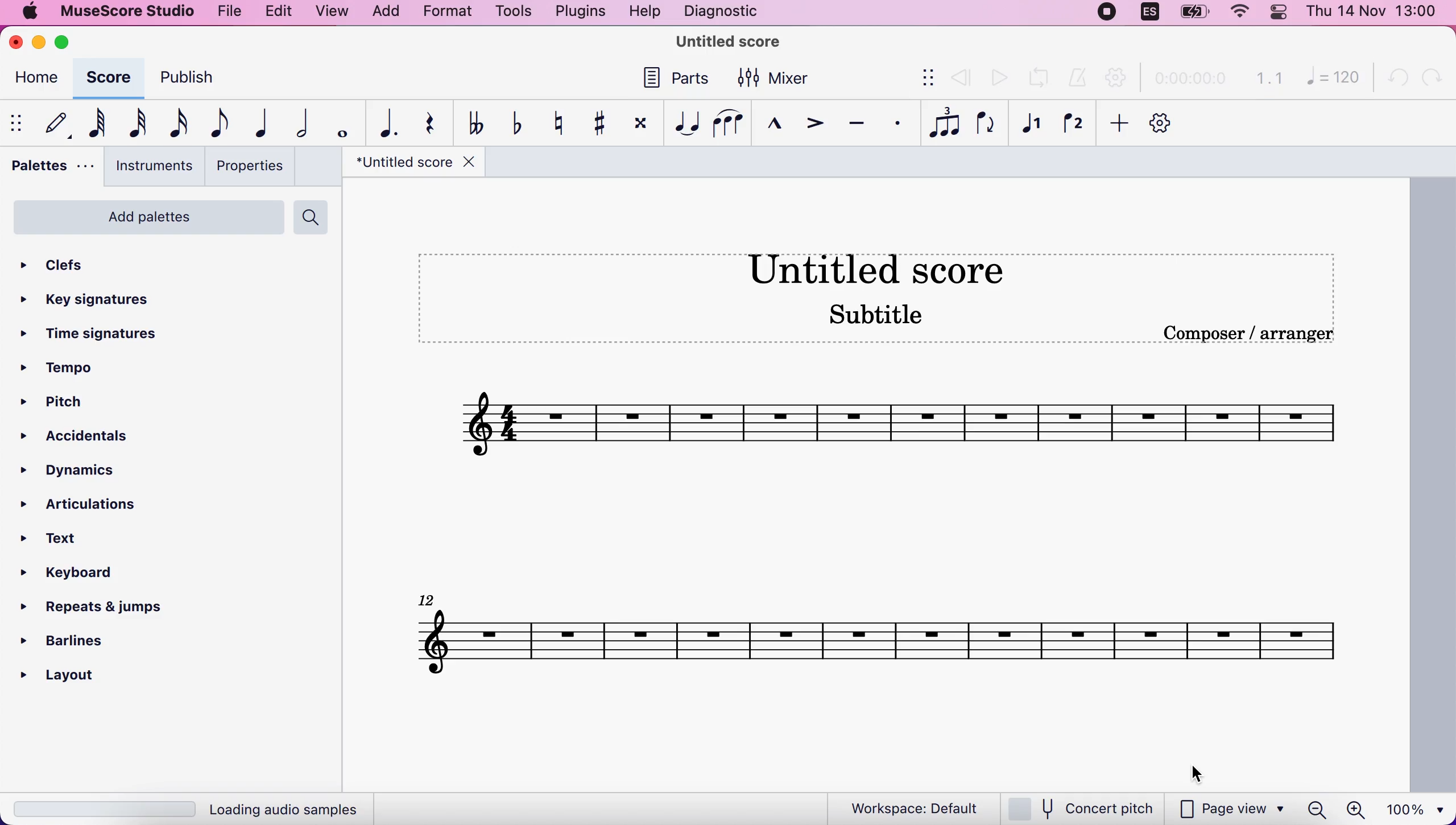  What do you see at coordinates (1074, 80) in the screenshot?
I see `metronome` at bounding box center [1074, 80].